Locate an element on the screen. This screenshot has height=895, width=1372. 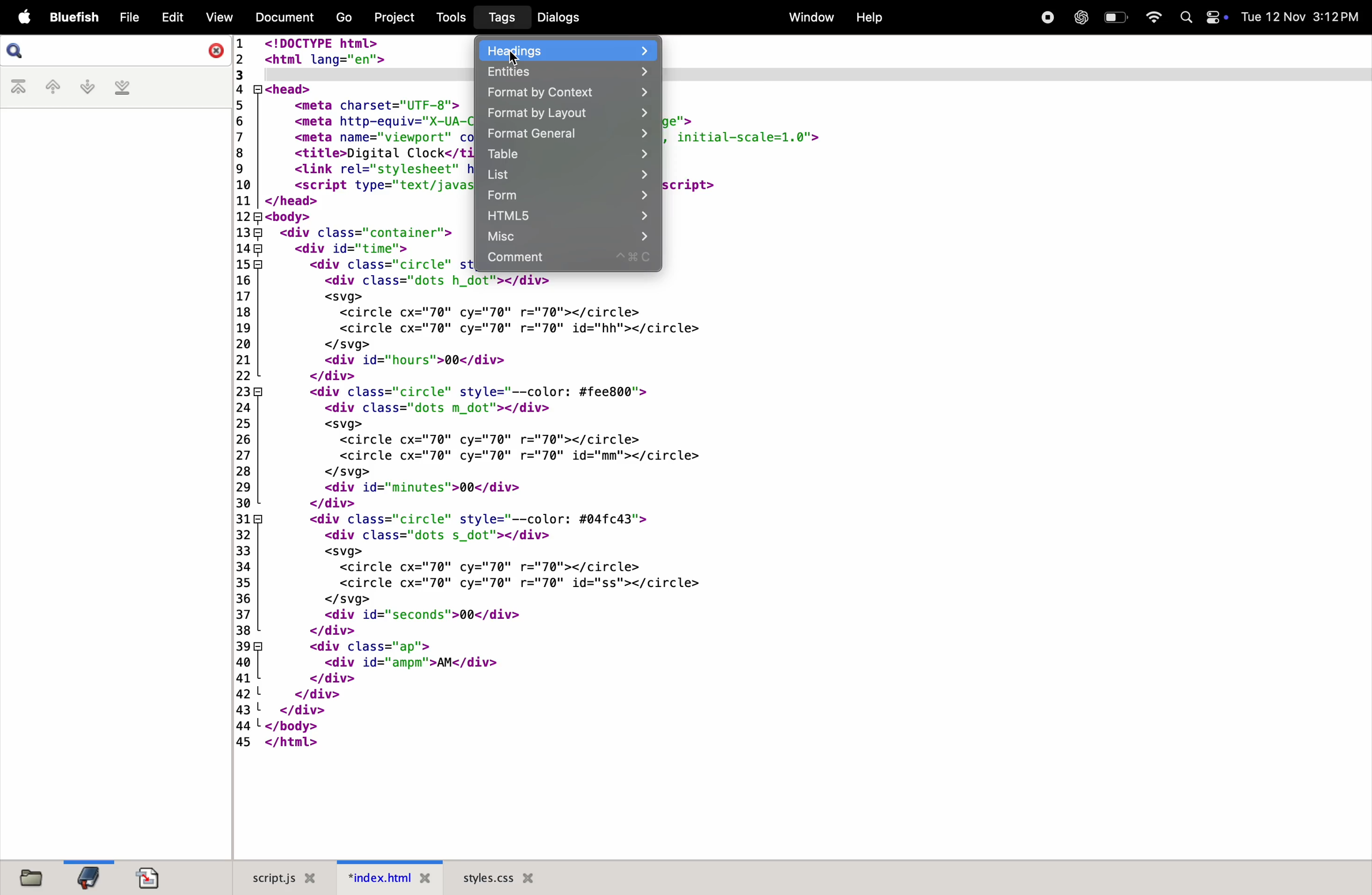
format general is located at coordinates (566, 136).